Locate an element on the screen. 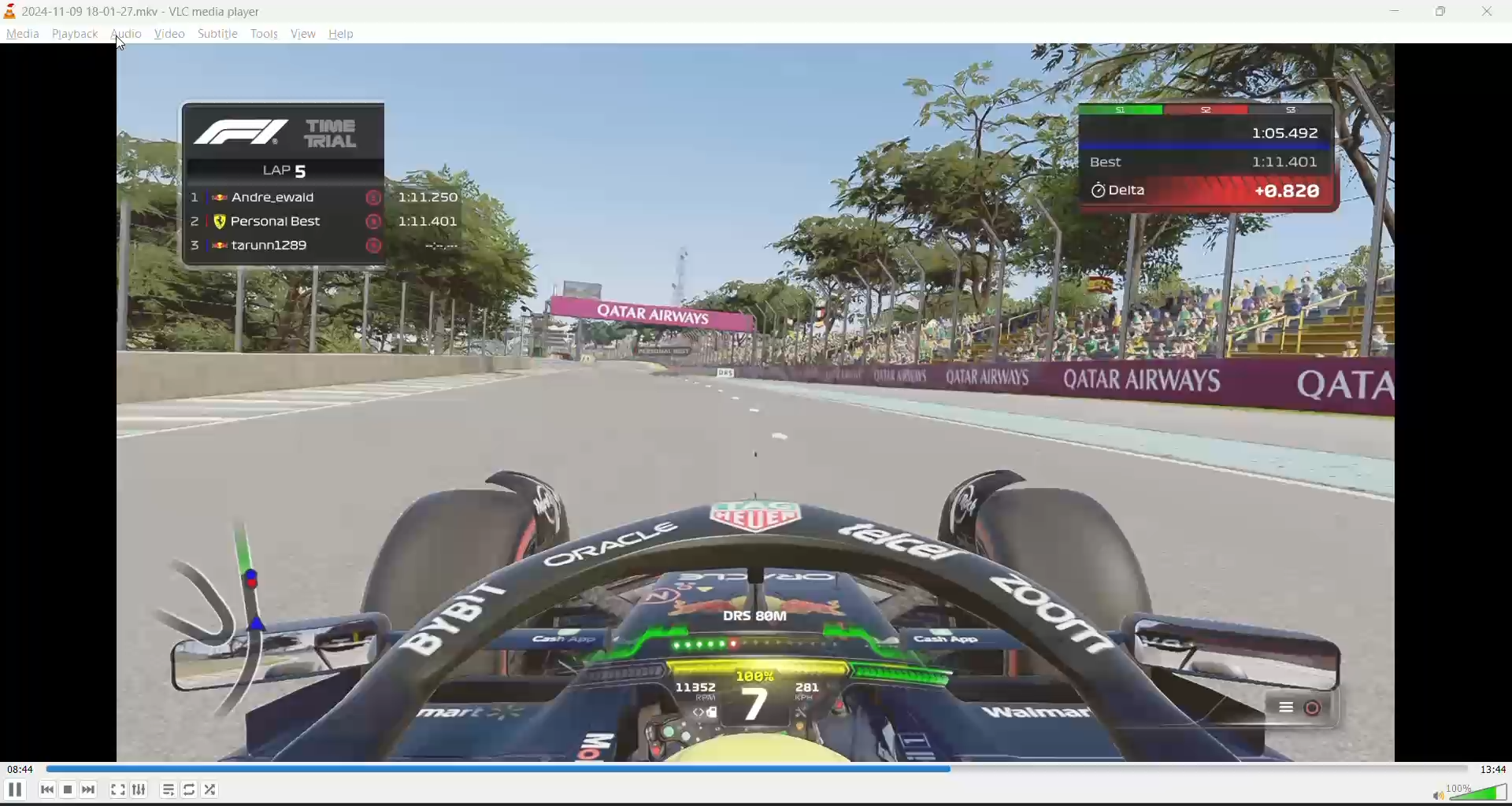 The height and width of the screenshot is (806, 1512). video is located at coordinates (168, 33).